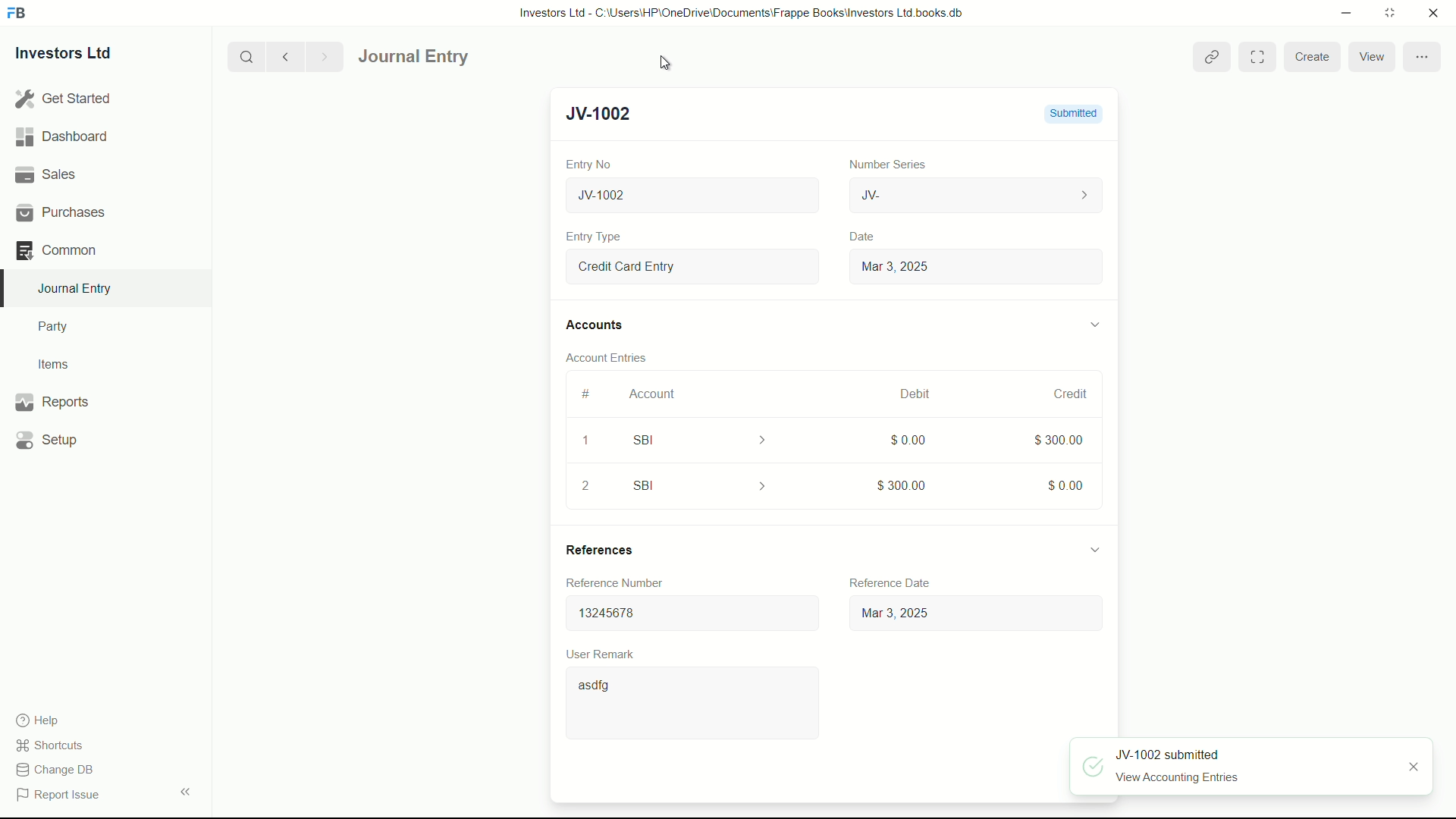 The image size is (1456, 819). Describe the element at coordinates (902, 482) in the screenshot. I see `$300.00` at that location.